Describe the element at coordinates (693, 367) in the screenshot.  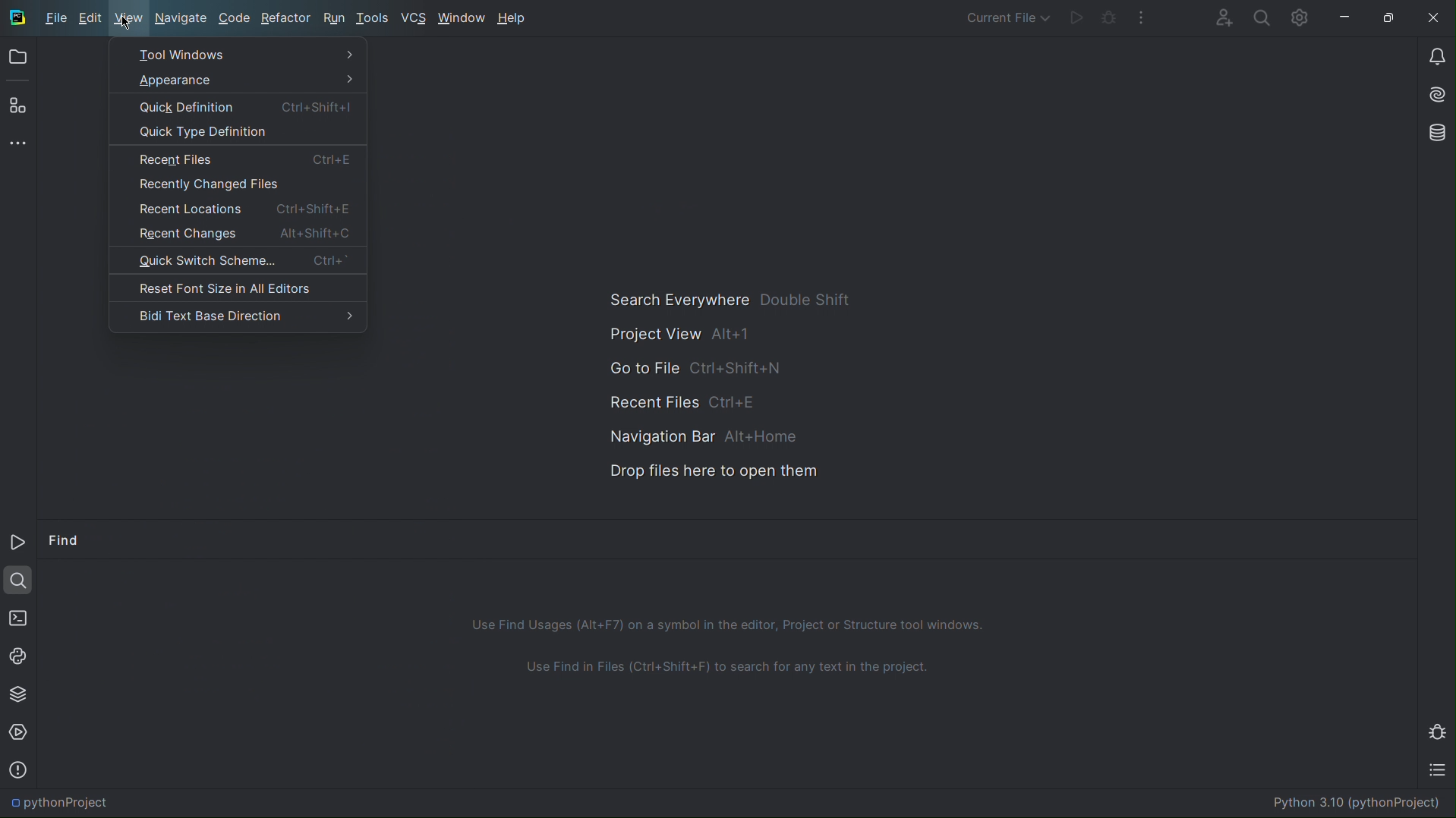
I see `Go to File` at that location.